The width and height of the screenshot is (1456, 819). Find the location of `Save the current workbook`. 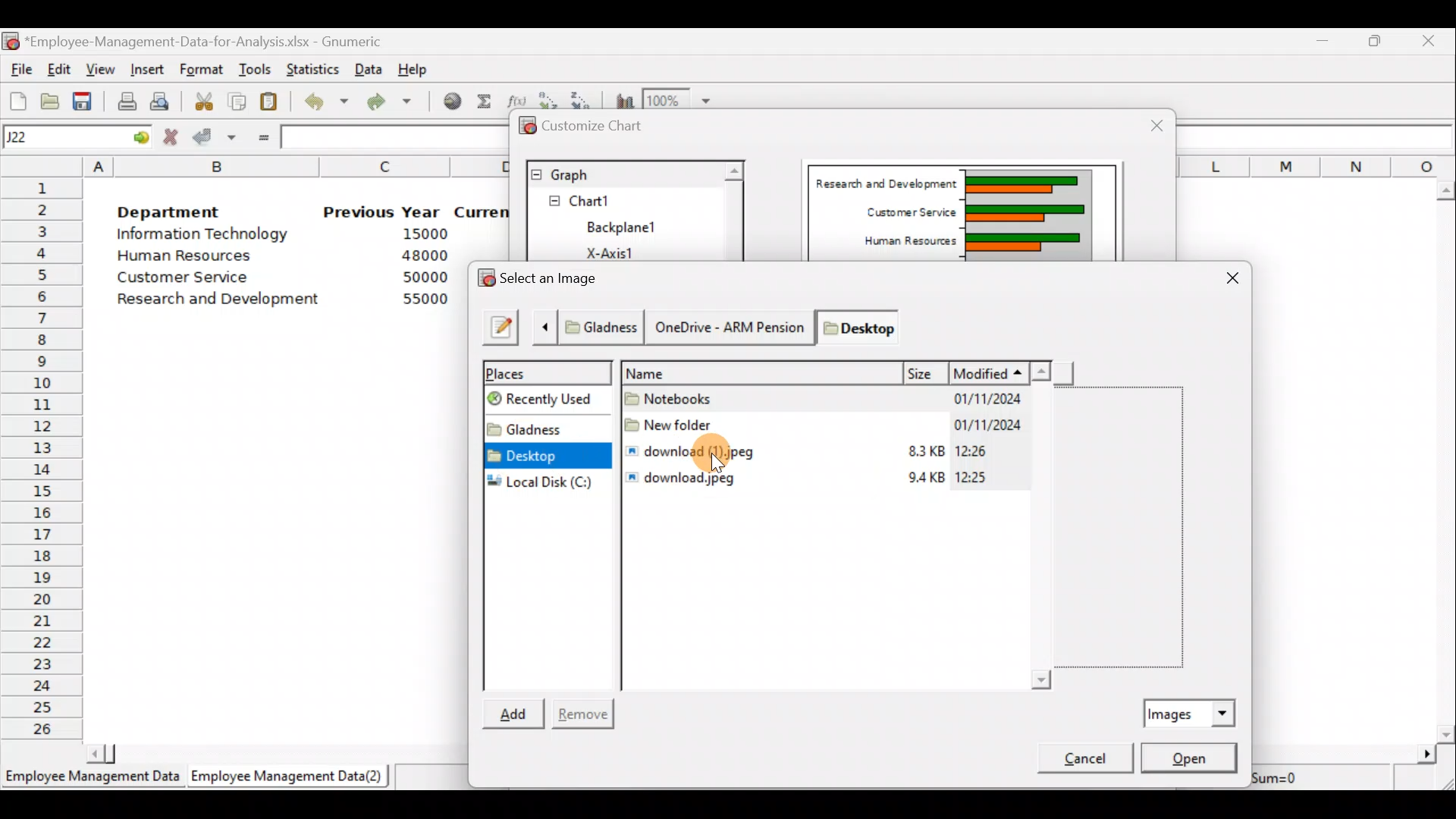

Save the current workbook is located at coordinates (83, 99).